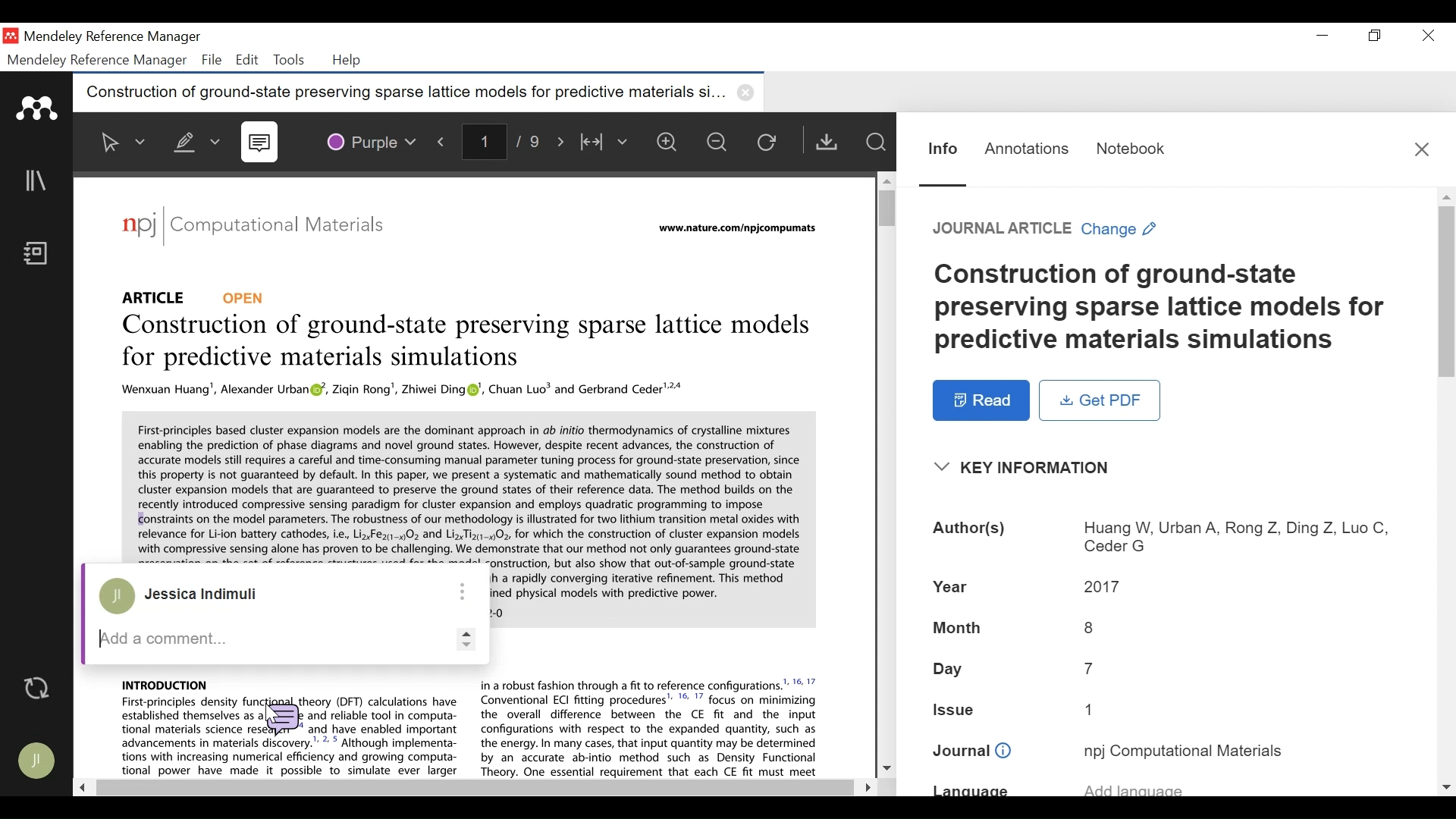 This screenshot has width=1456, height=819. Describe the element at coordinates (1166, 536) in the screenshot. I see `Authors` at that location.